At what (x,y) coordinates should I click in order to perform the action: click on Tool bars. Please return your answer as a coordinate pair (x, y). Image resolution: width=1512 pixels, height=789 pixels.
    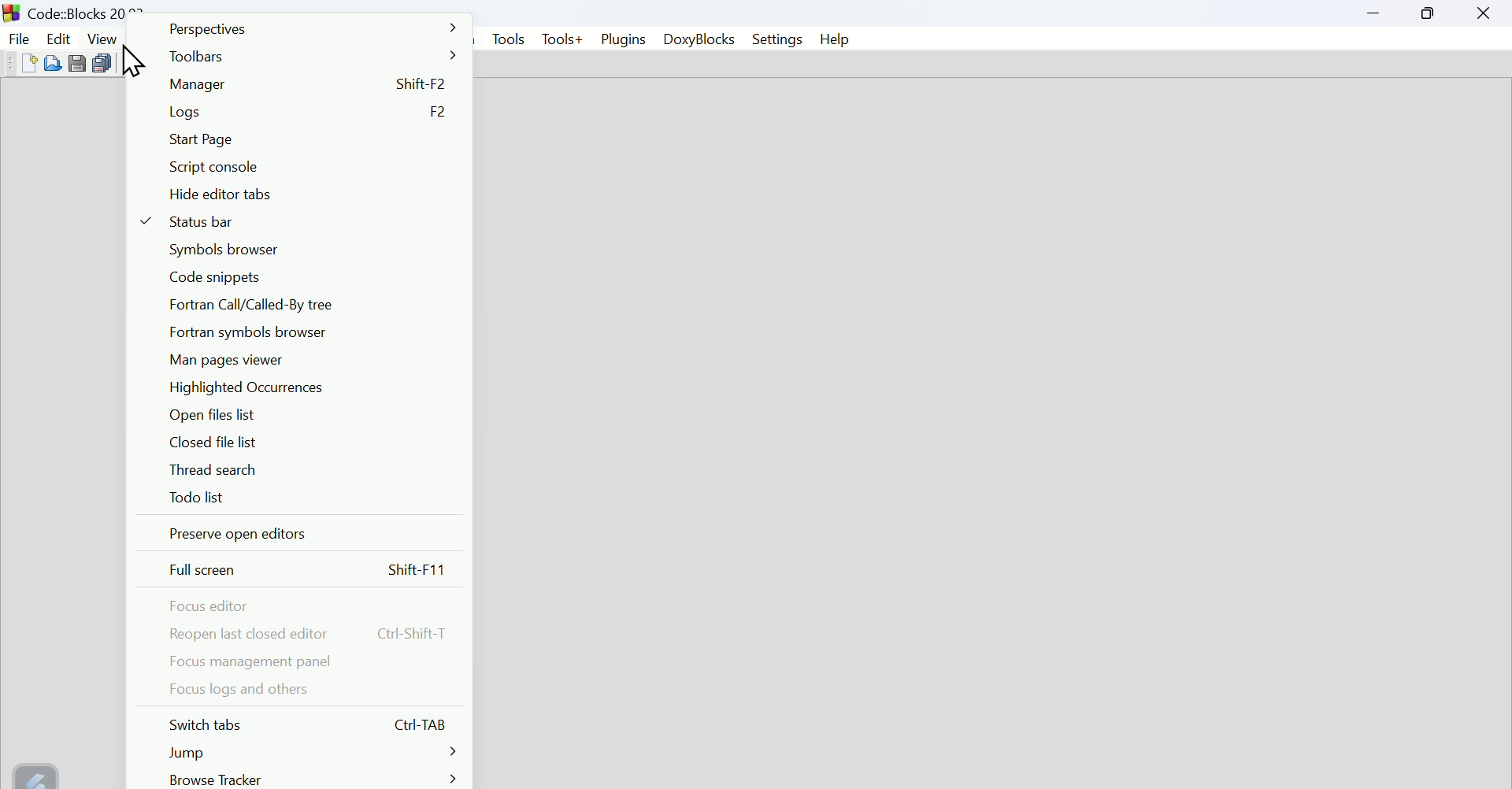
    Looking at the image, I should click on (314, 55).